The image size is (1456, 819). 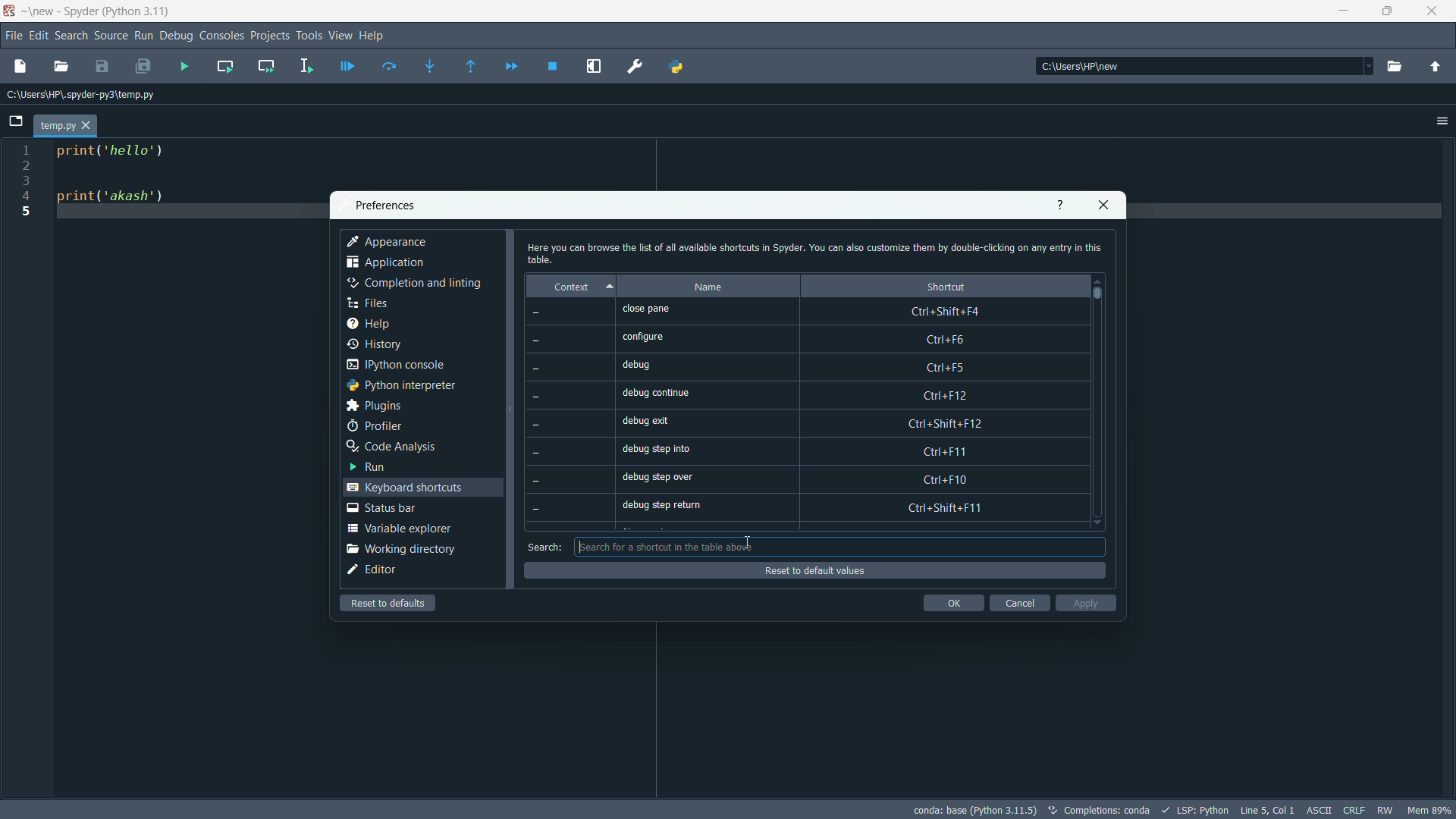 What do you see at coordinates (375, 37) in the screenshot?
I see `help menu` at bounding box center [375, 37].